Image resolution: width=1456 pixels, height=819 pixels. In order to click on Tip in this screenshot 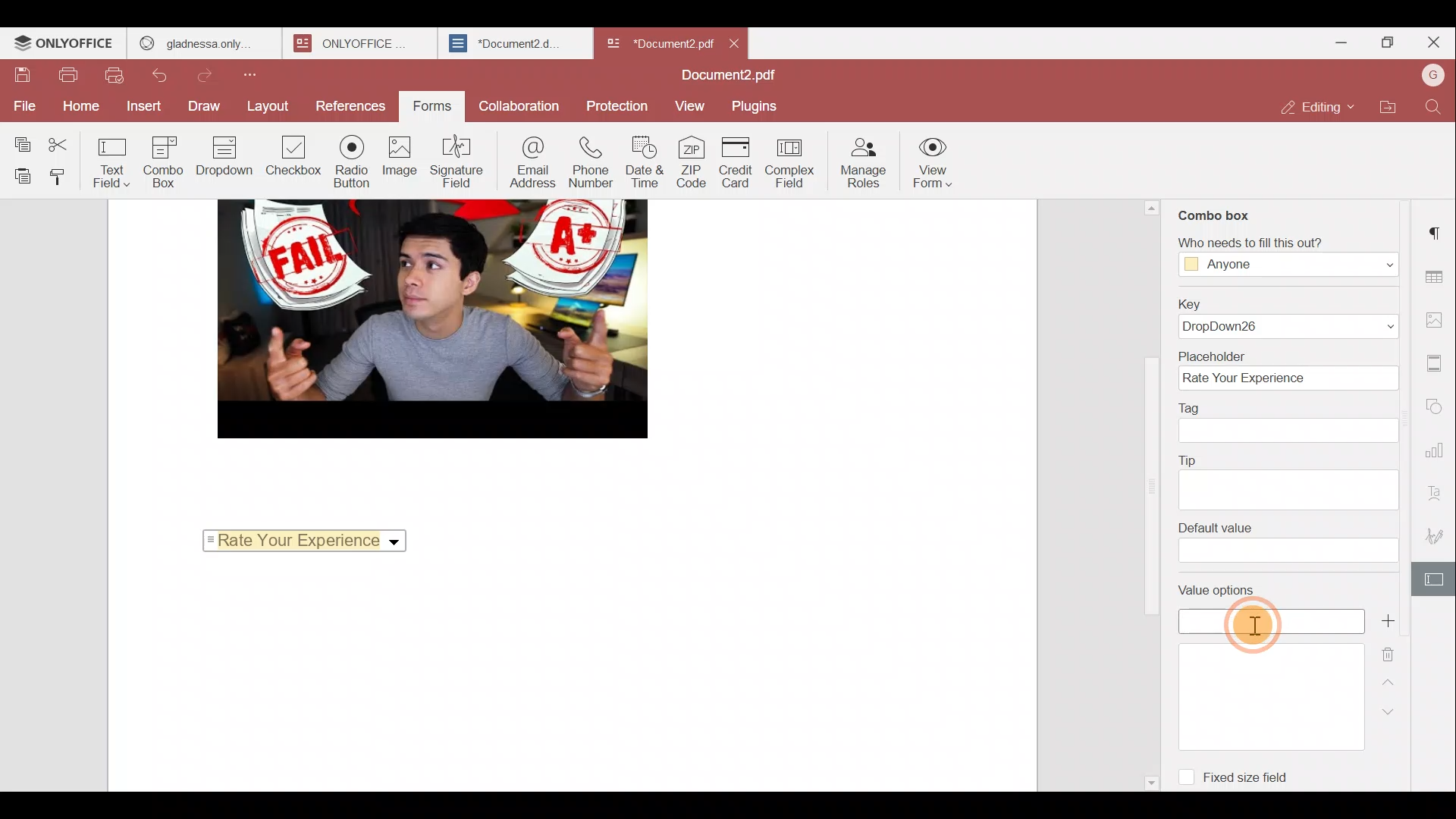, I will do `click(1289, 479)`.